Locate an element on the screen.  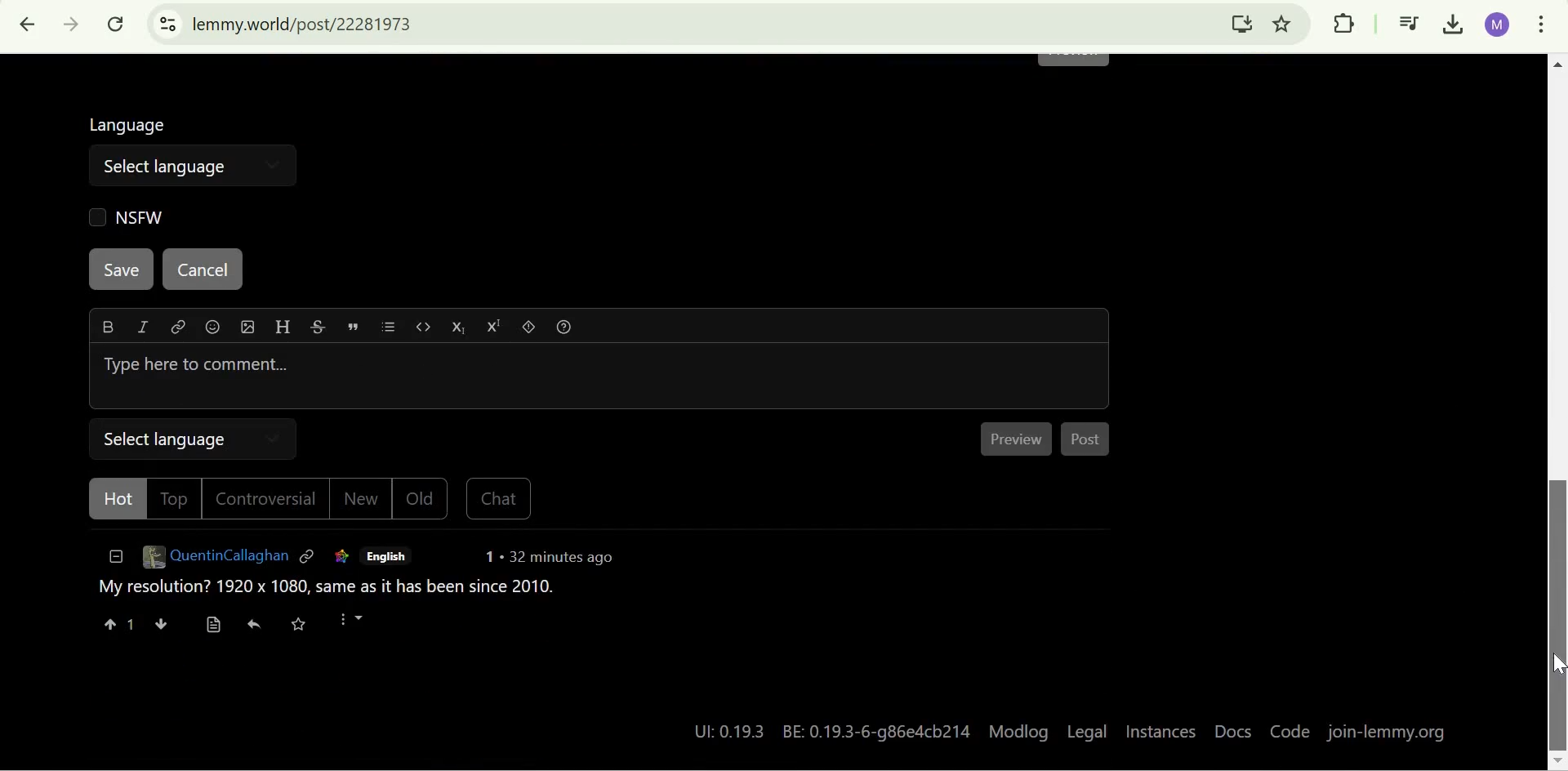
Old is located at coordinates (422, 501).